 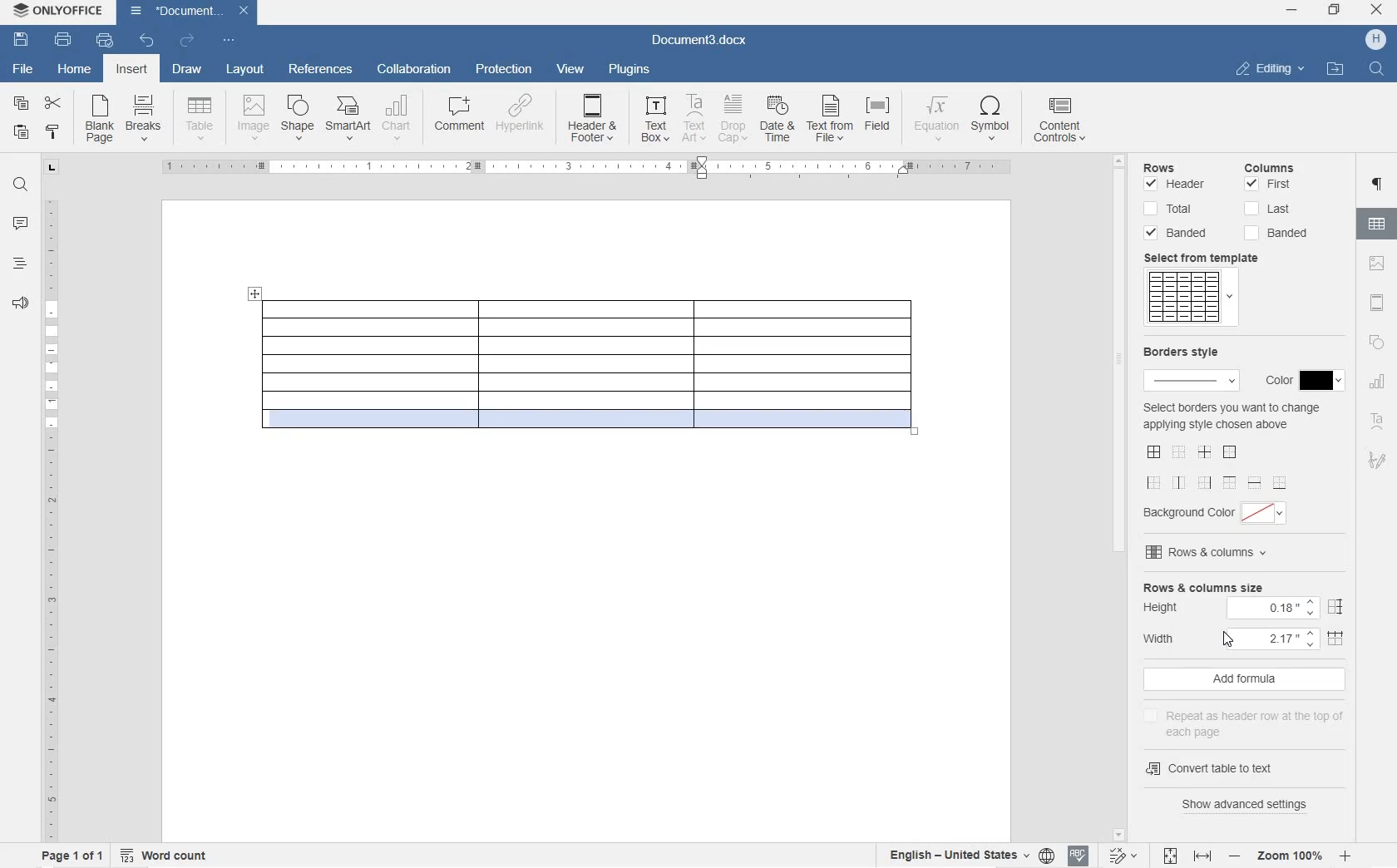 I want to click on FEEDBACK & SUPPORT, so click(x=18, y=303).